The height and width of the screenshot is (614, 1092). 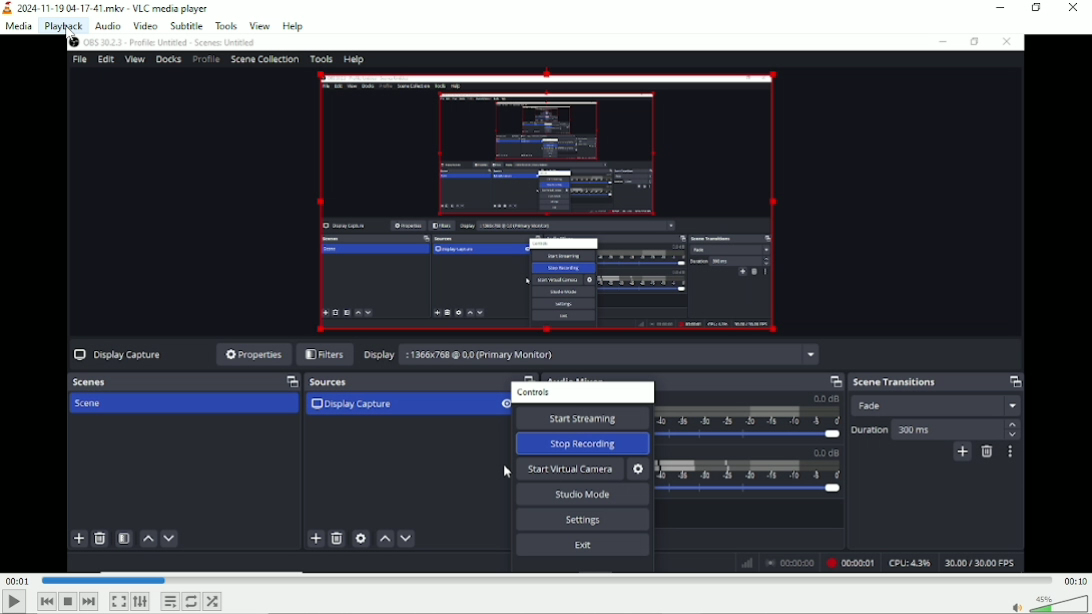 What do you see at coordinates (107, 7) in the screenshot?
I see `Title` at bounding box center [107, 7].